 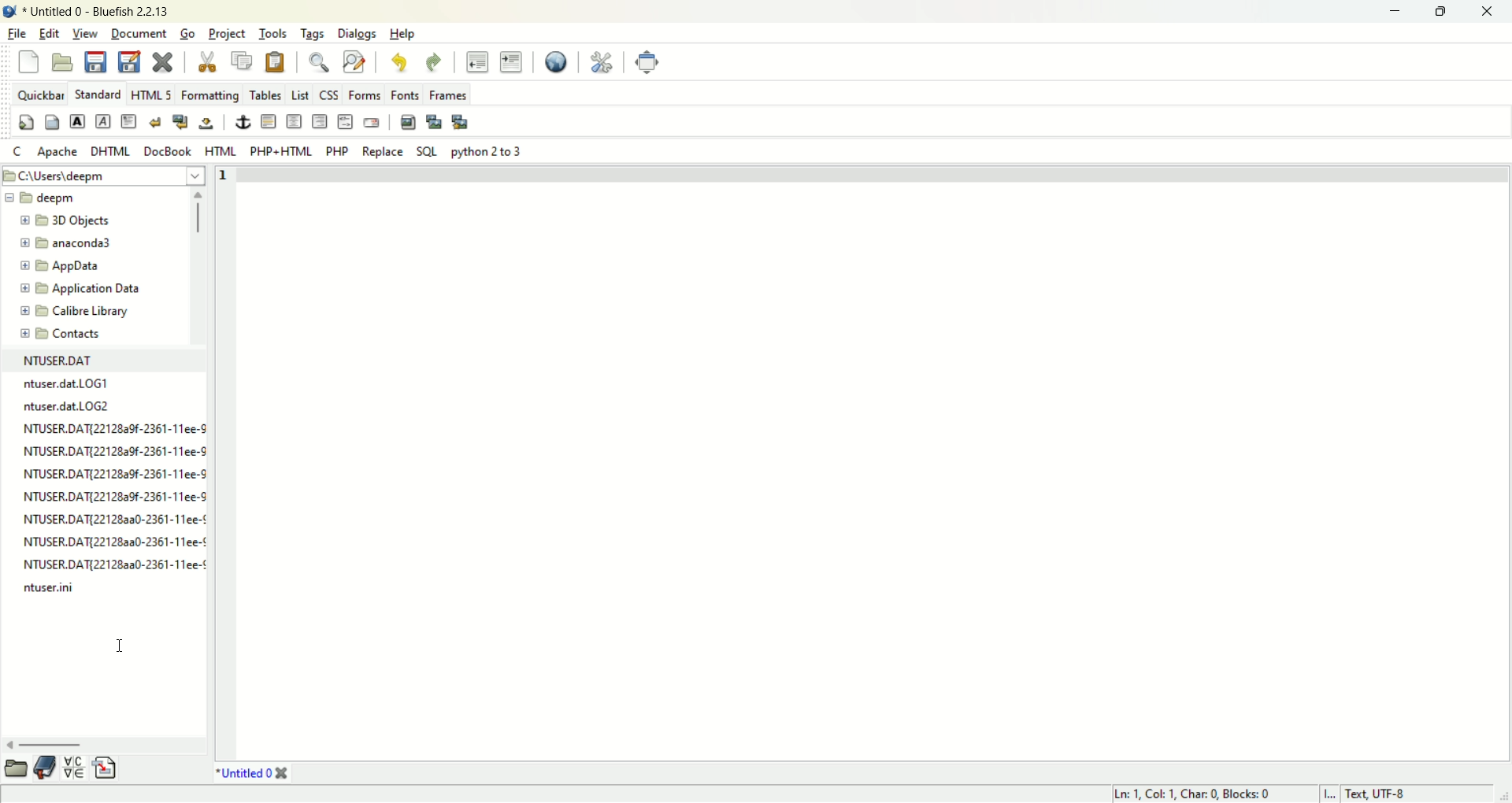 I want to click on Fonts, so click(x=403, y=94).